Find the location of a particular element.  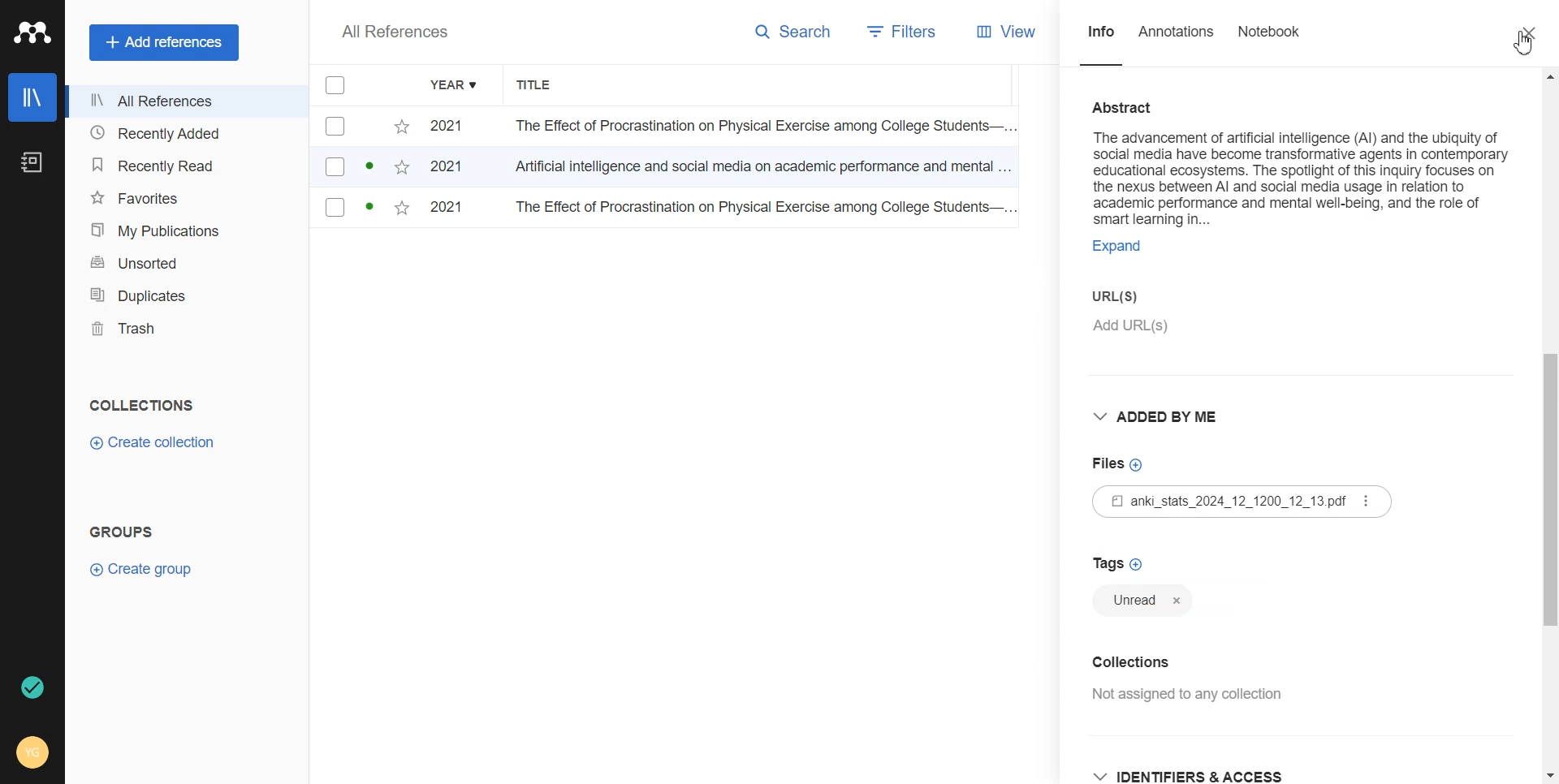

Add URLs is located at coordinates (1219, 334).